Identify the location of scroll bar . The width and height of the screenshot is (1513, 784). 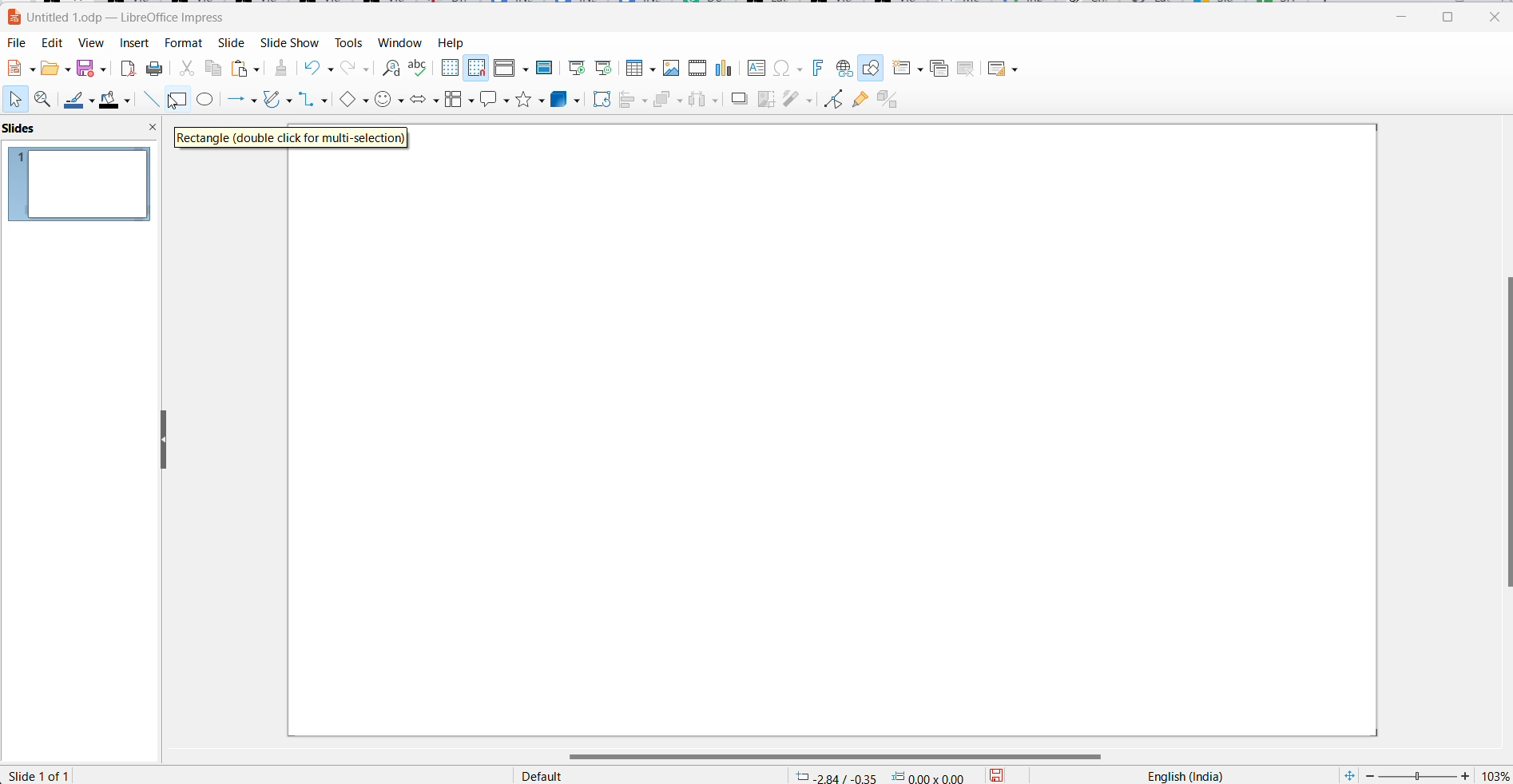
(845, 756).